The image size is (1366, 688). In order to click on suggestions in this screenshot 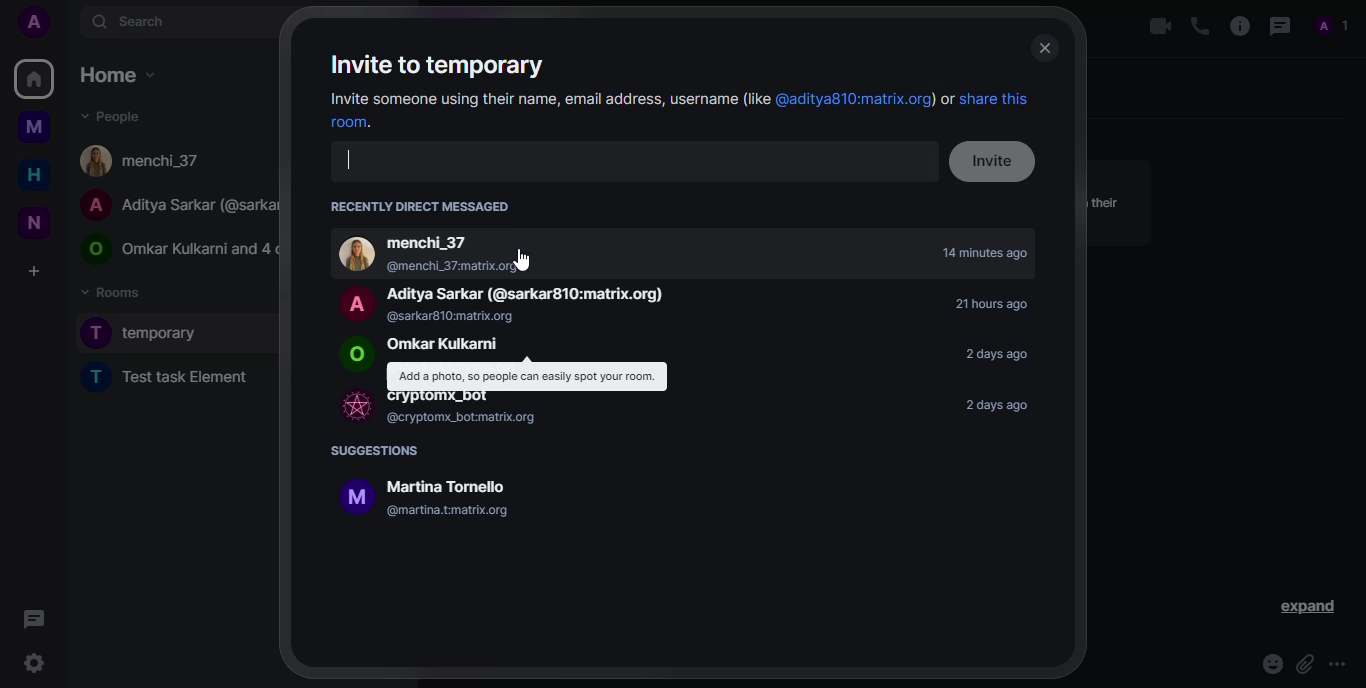, I will do `click(377, 451)`.